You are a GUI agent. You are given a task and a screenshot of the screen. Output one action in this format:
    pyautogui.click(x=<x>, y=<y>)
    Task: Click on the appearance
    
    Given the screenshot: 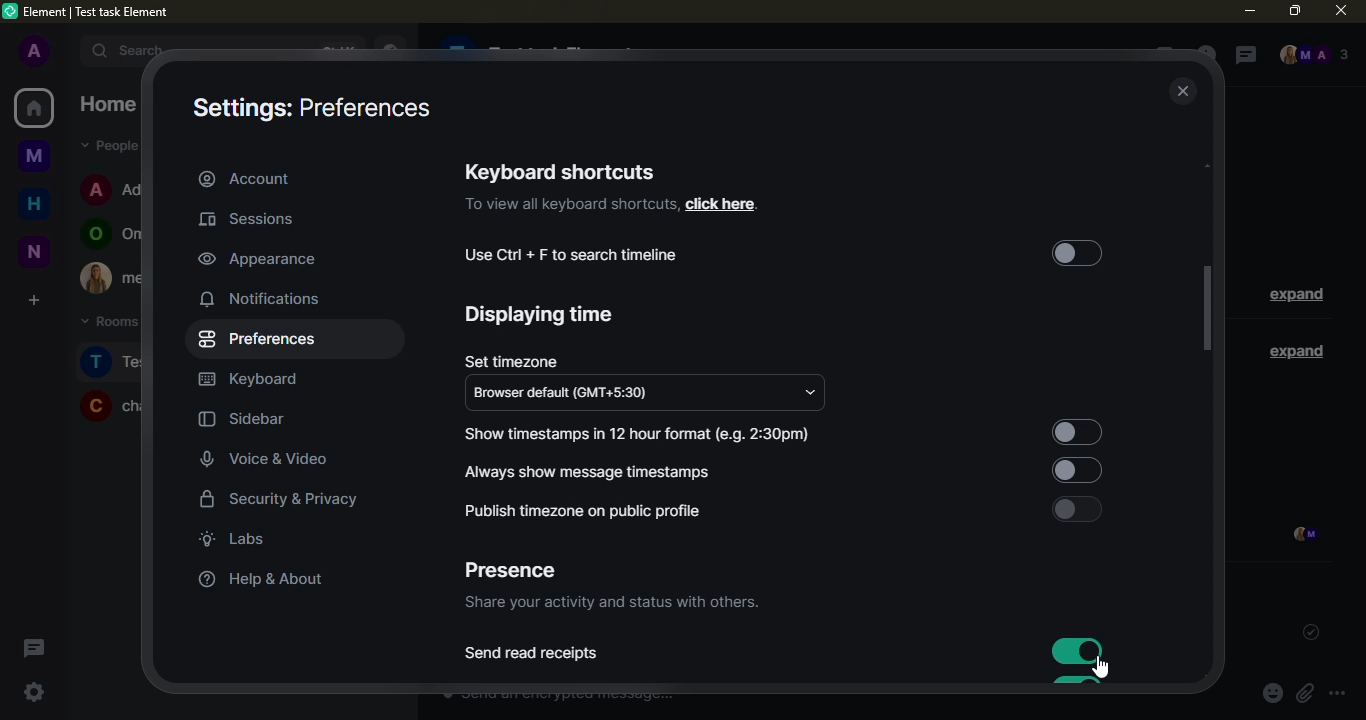 What is the action you would take?
    pyautogui.click(x=258, y=258)
    